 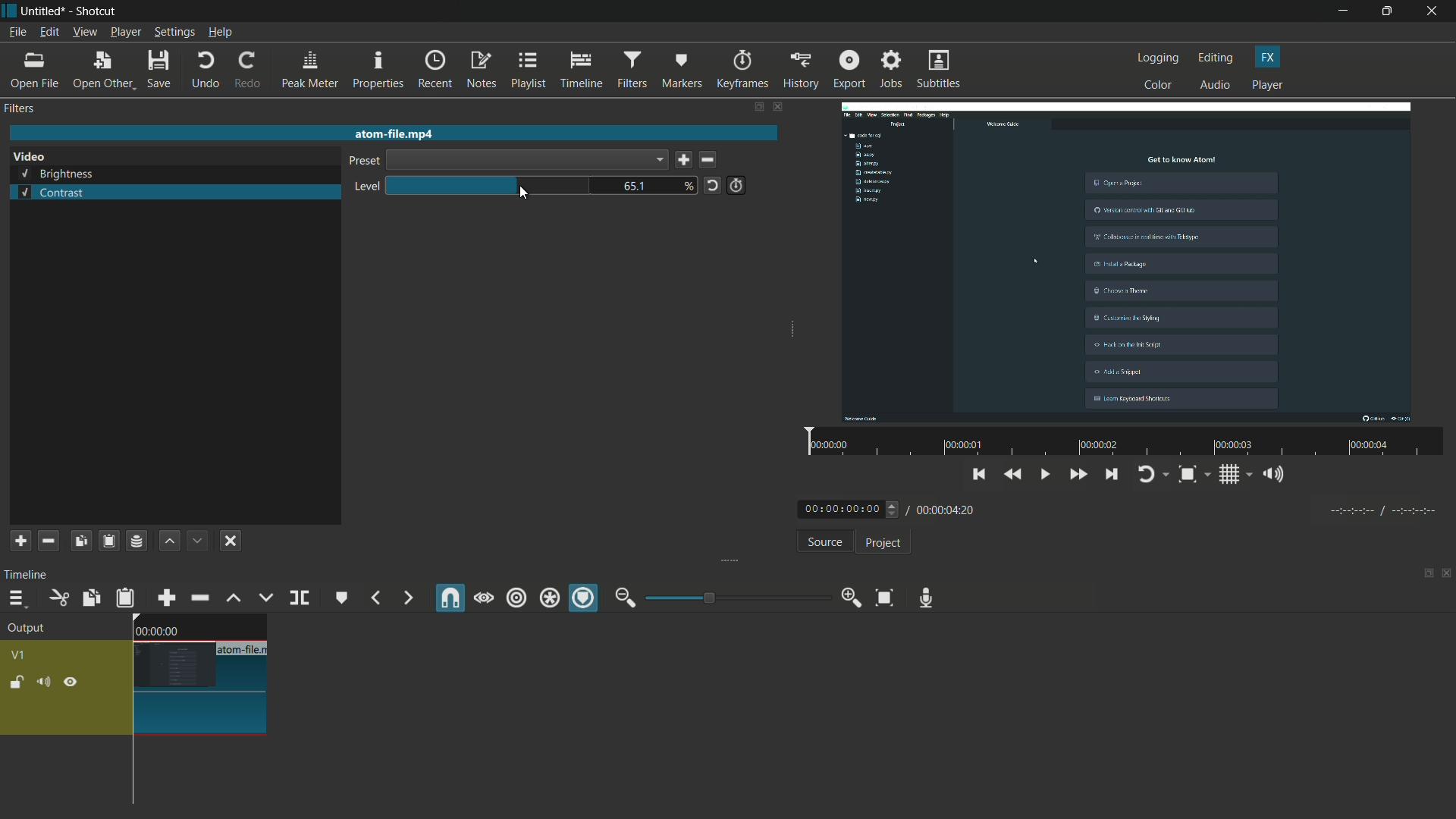 What do you see at coordinates (161, 71) in the screenshot?
I see `save` at bounding box center [161, 71].